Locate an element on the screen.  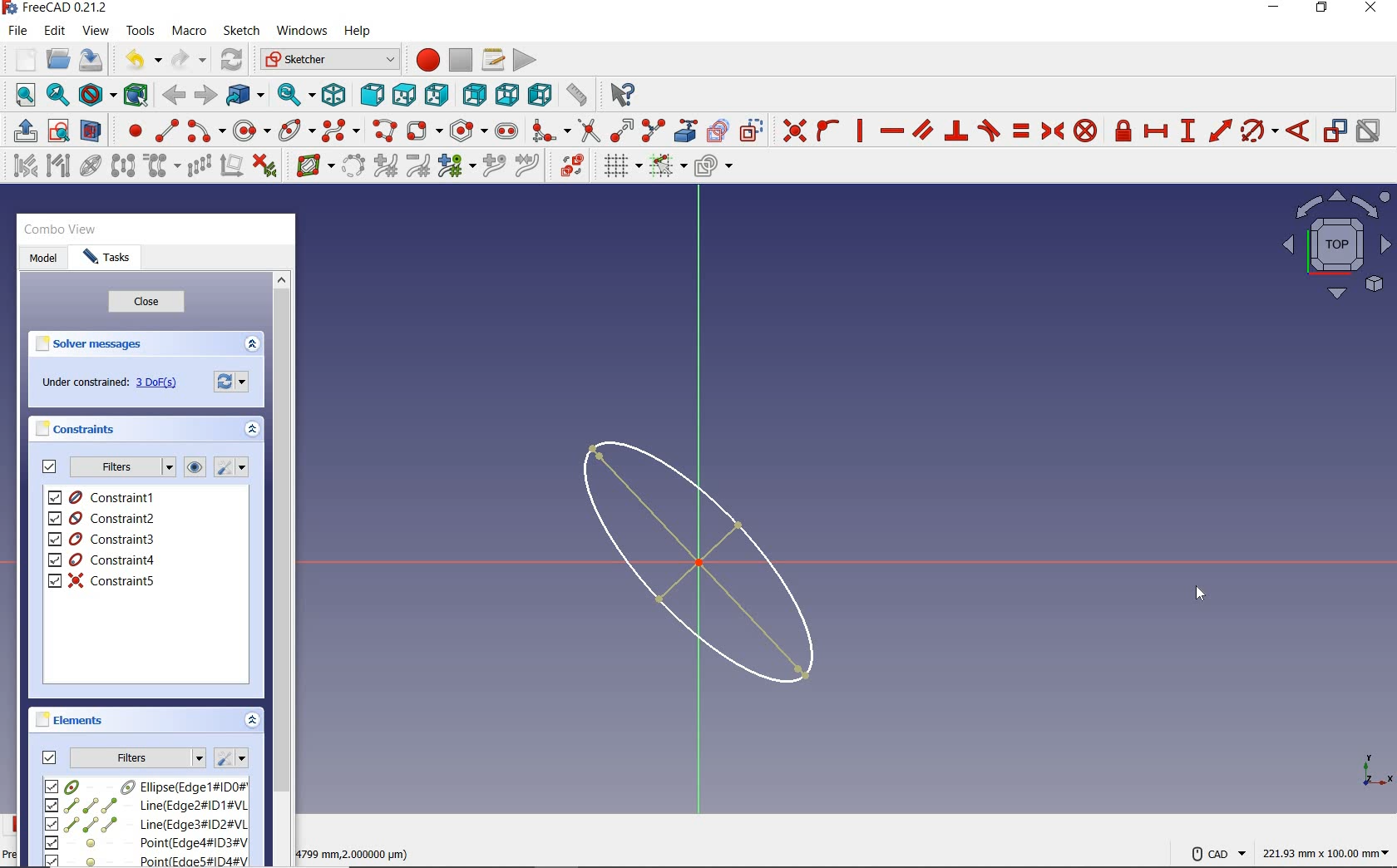
check to toggle filters is located at coordinates (50, 757).